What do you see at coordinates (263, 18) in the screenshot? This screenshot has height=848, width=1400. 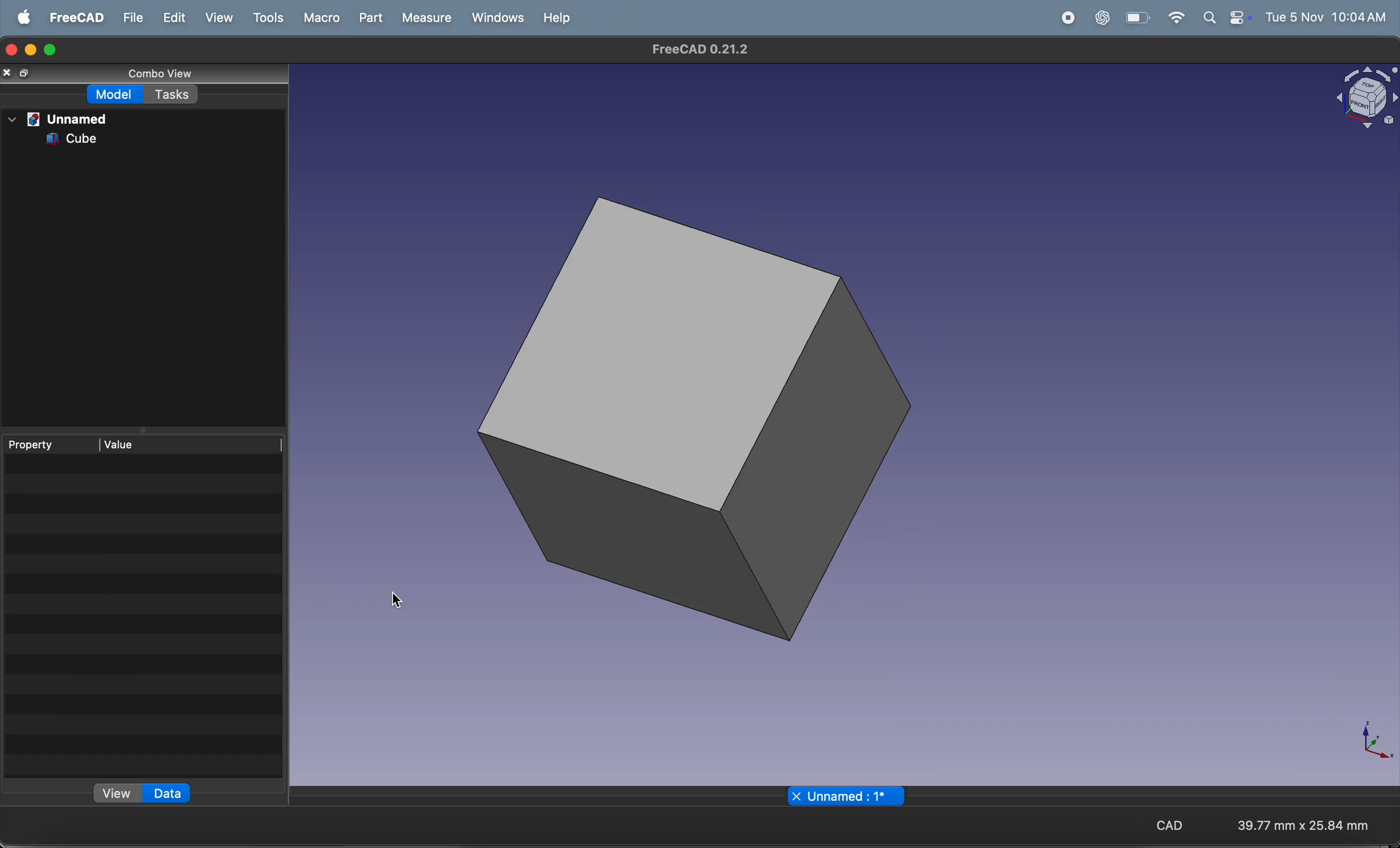 I see `tools` at bounding box center [263, 18].